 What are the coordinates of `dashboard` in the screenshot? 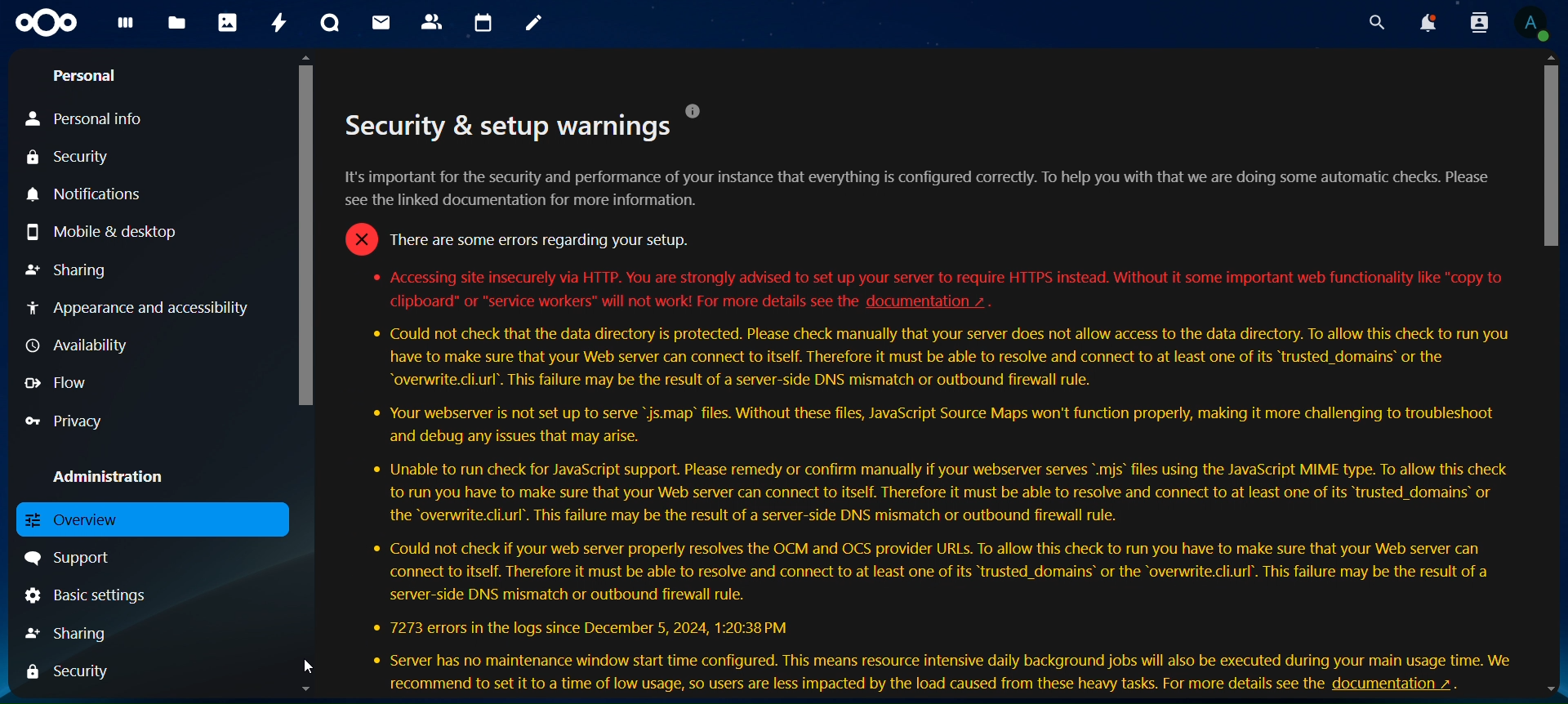 It's located at (131, 29).